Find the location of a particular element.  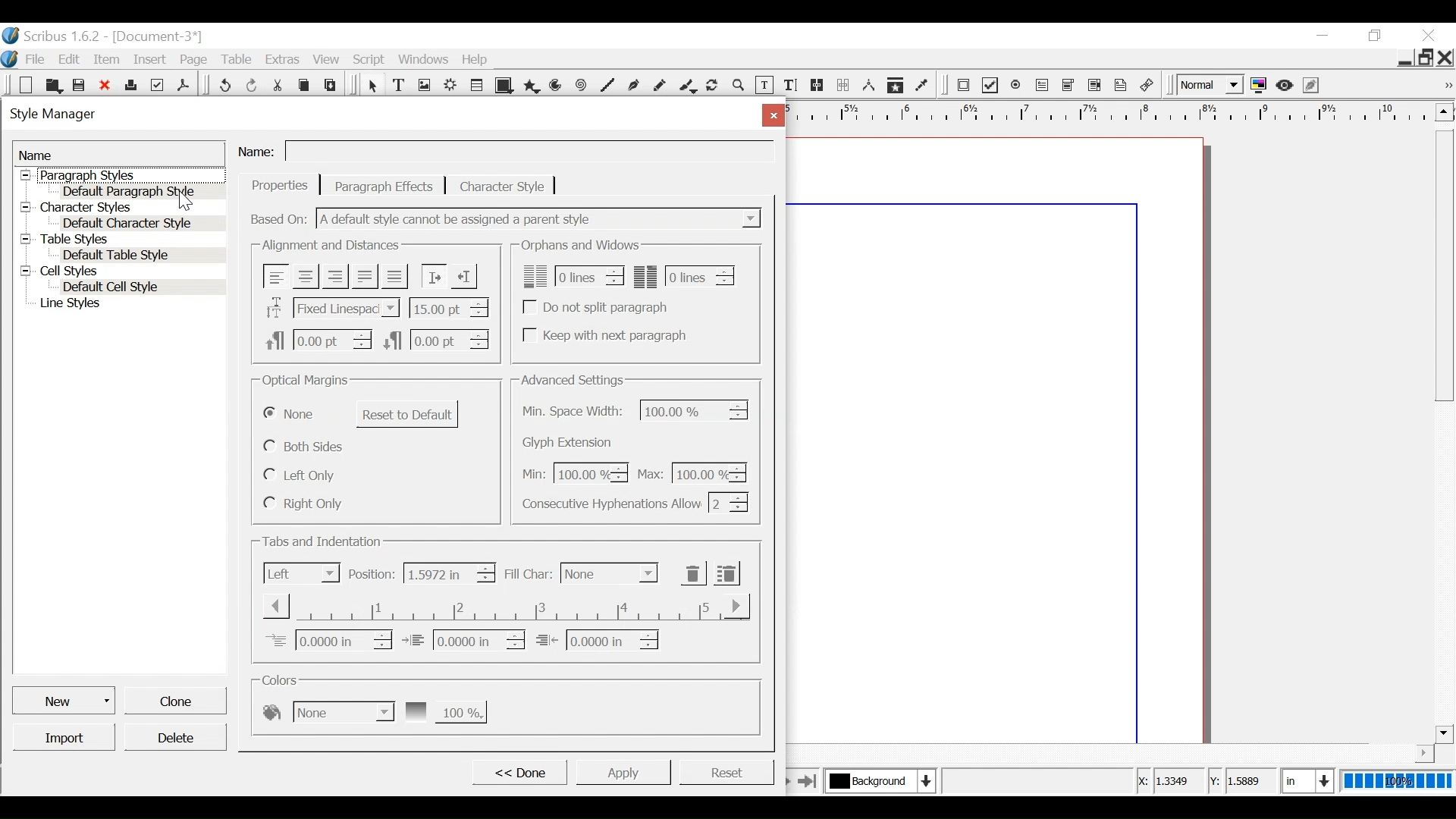

Default Character Styles is located at coordinates (142, 224).